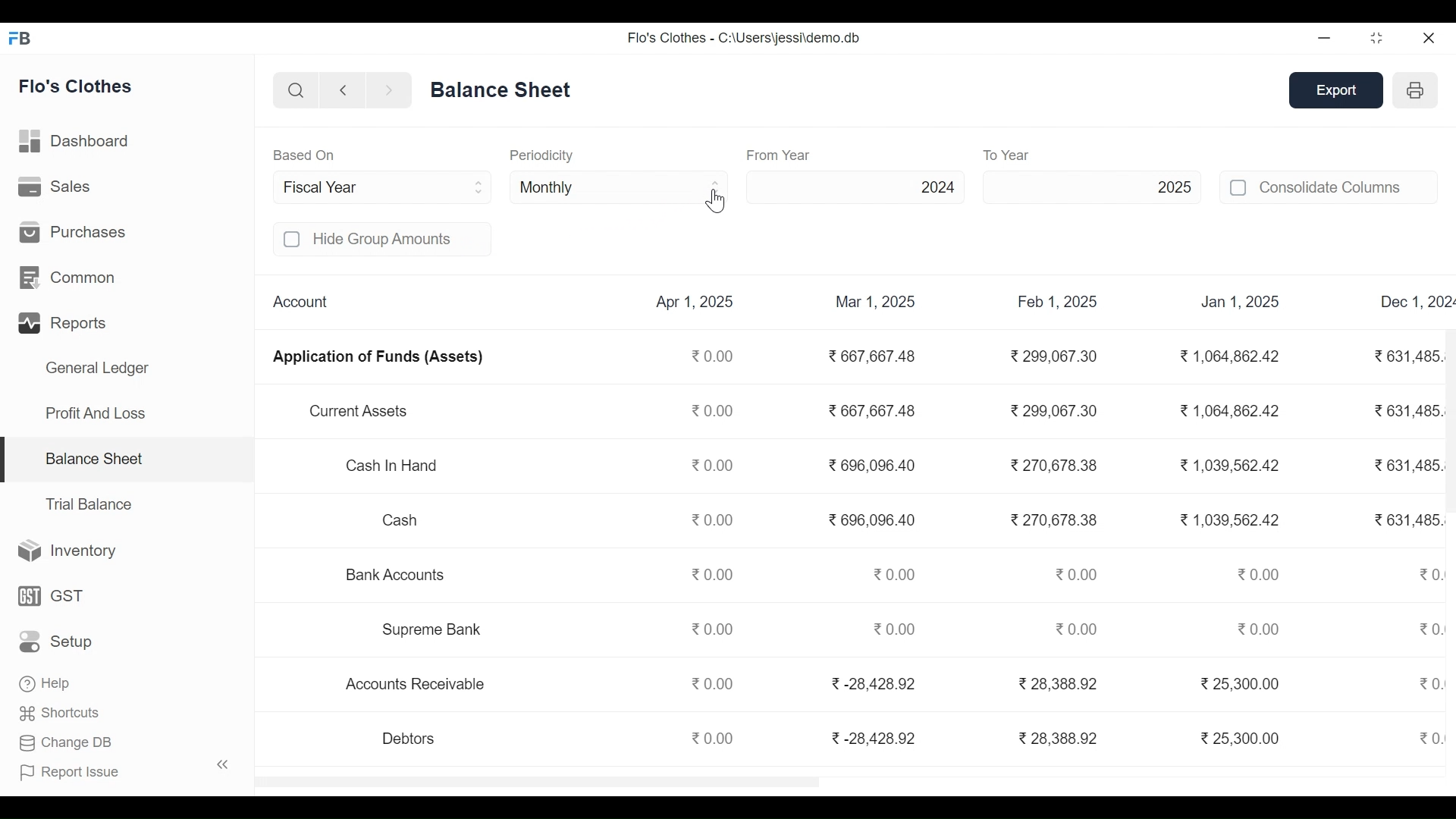 This screenshot has height=819, width=1456. I want to click on Monthly, so click(620, 186).